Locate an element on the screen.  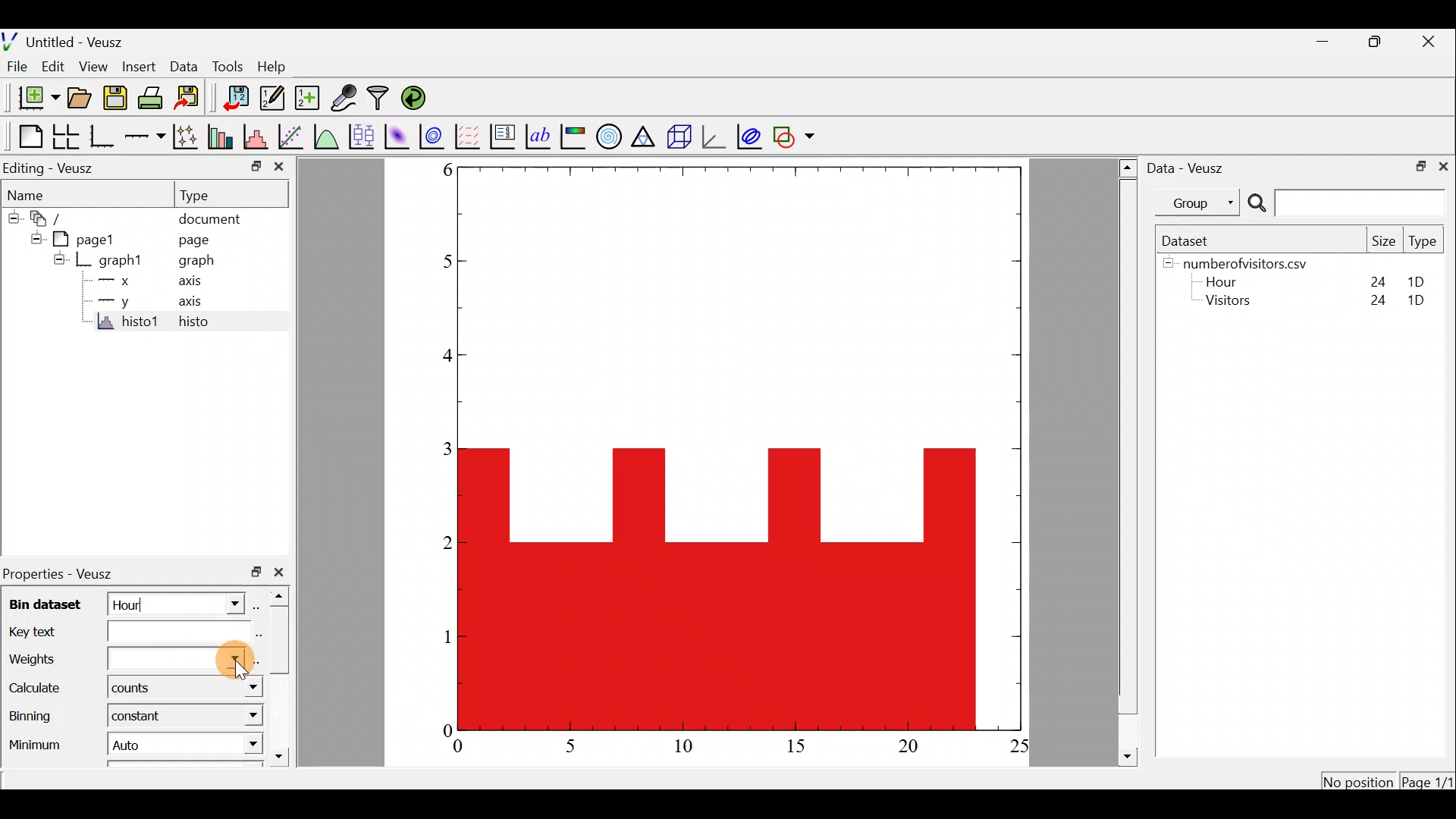
create new datasets using ranges, parametrically or as functions of existing dataset. is located at coordinates (309, 96).